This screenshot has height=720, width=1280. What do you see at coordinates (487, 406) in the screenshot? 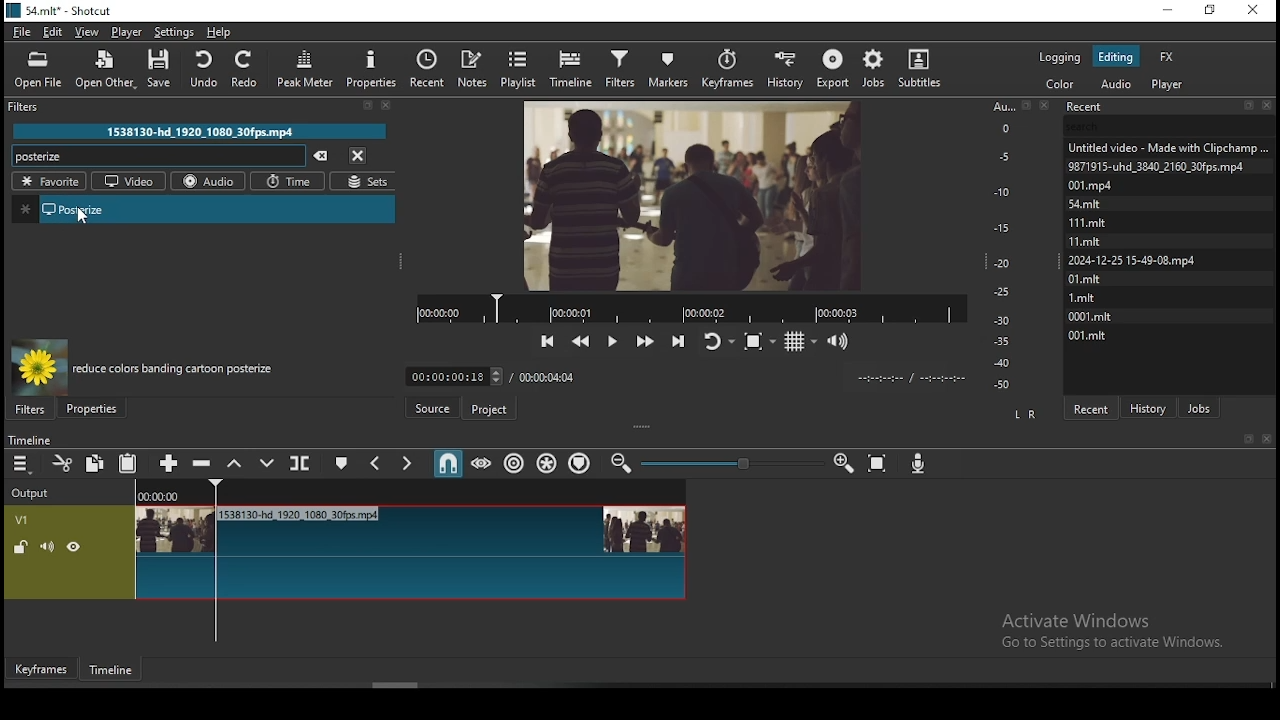
I see `project` at bounding box center [487, 406].